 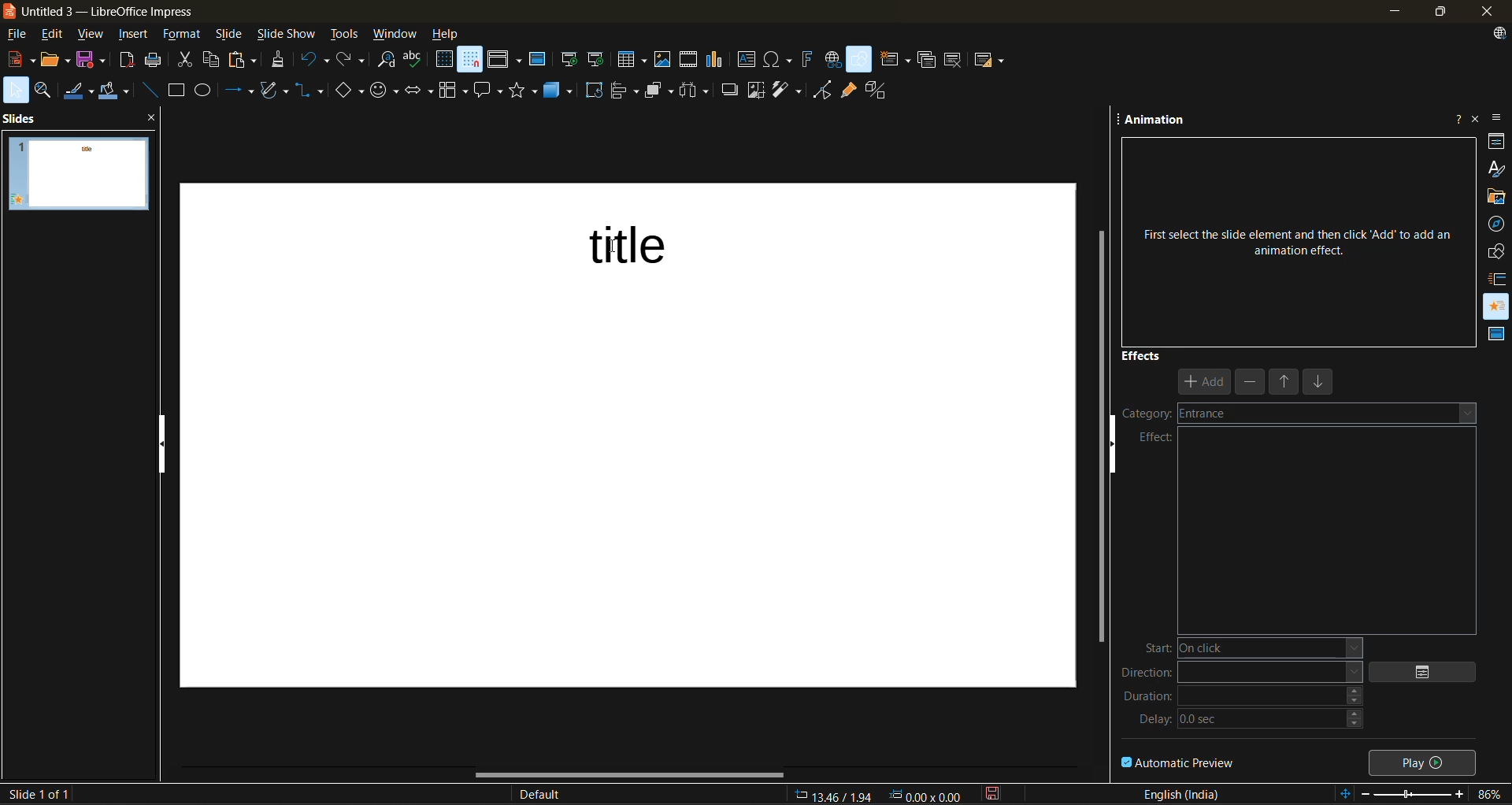 What do you see at coordinates (243, 91) in the screenshot?
I see `lines and arrows` at bounding box center [243, 91].